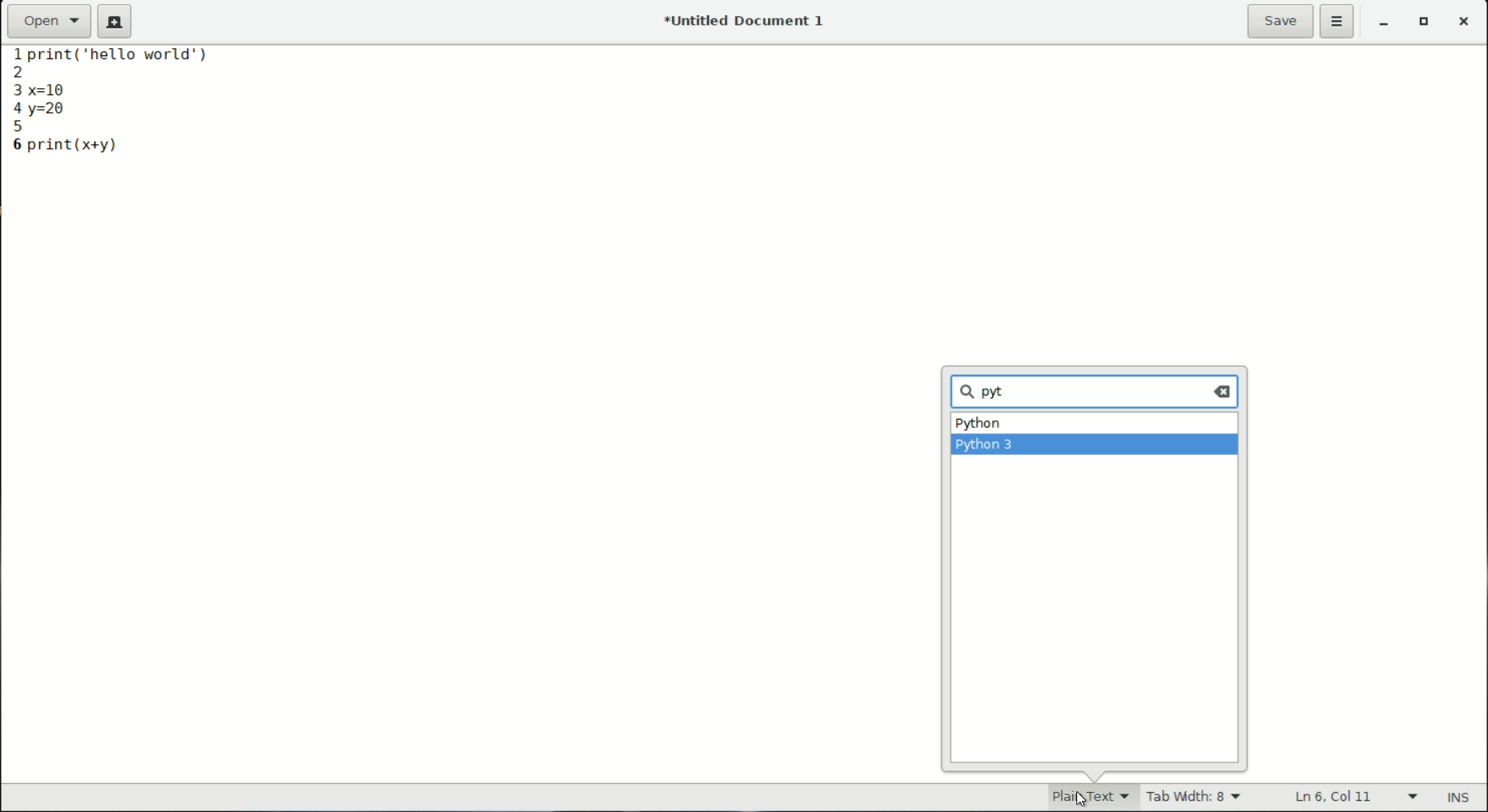 This screenshot has height=812, width=1488. Describe the element at coordinates (50, 20) in the screenshot. I see `open` at that location.